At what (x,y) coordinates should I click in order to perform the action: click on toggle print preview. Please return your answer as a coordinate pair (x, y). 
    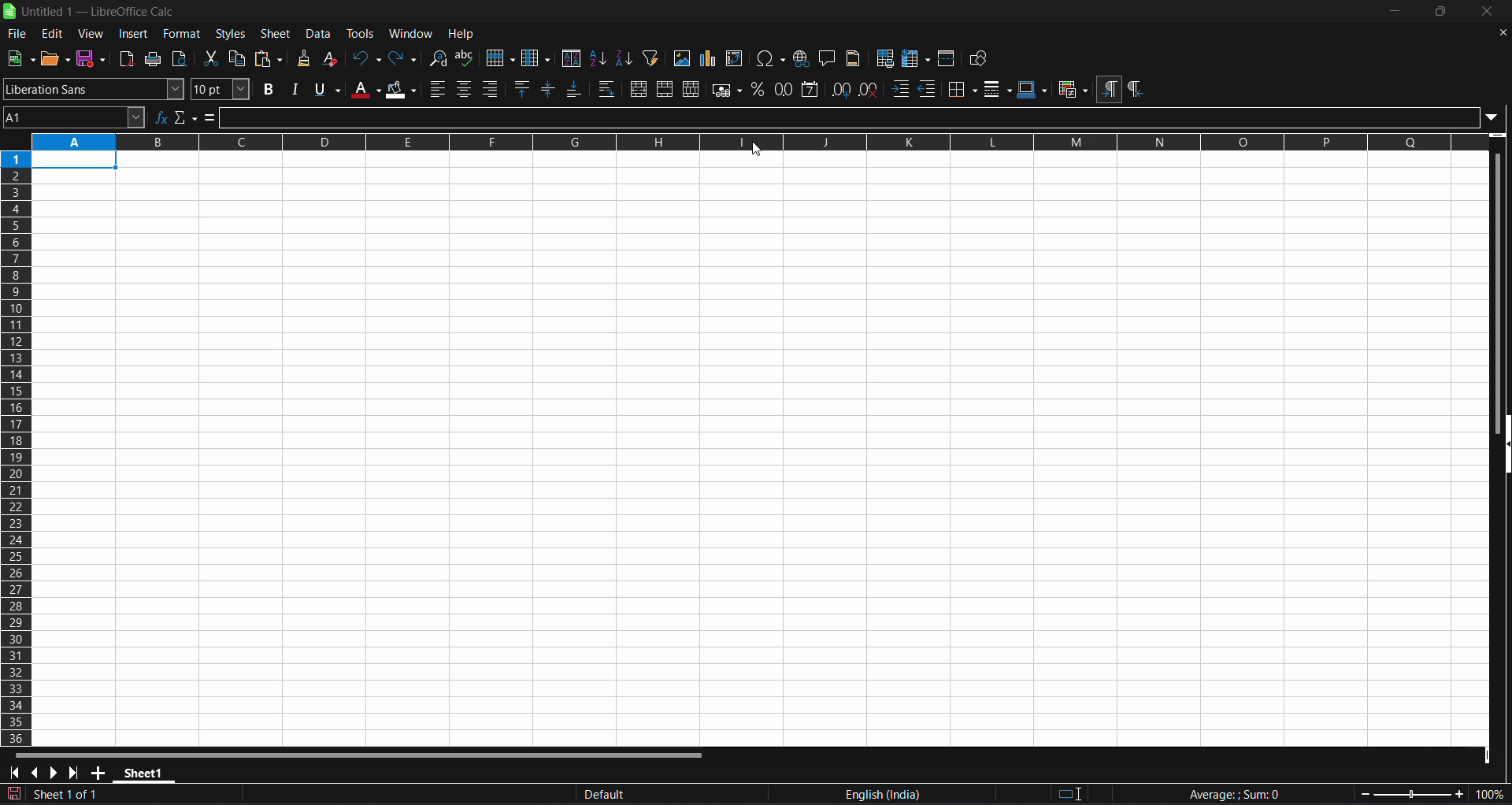
    Looking at the image, I should click on (181, 58).